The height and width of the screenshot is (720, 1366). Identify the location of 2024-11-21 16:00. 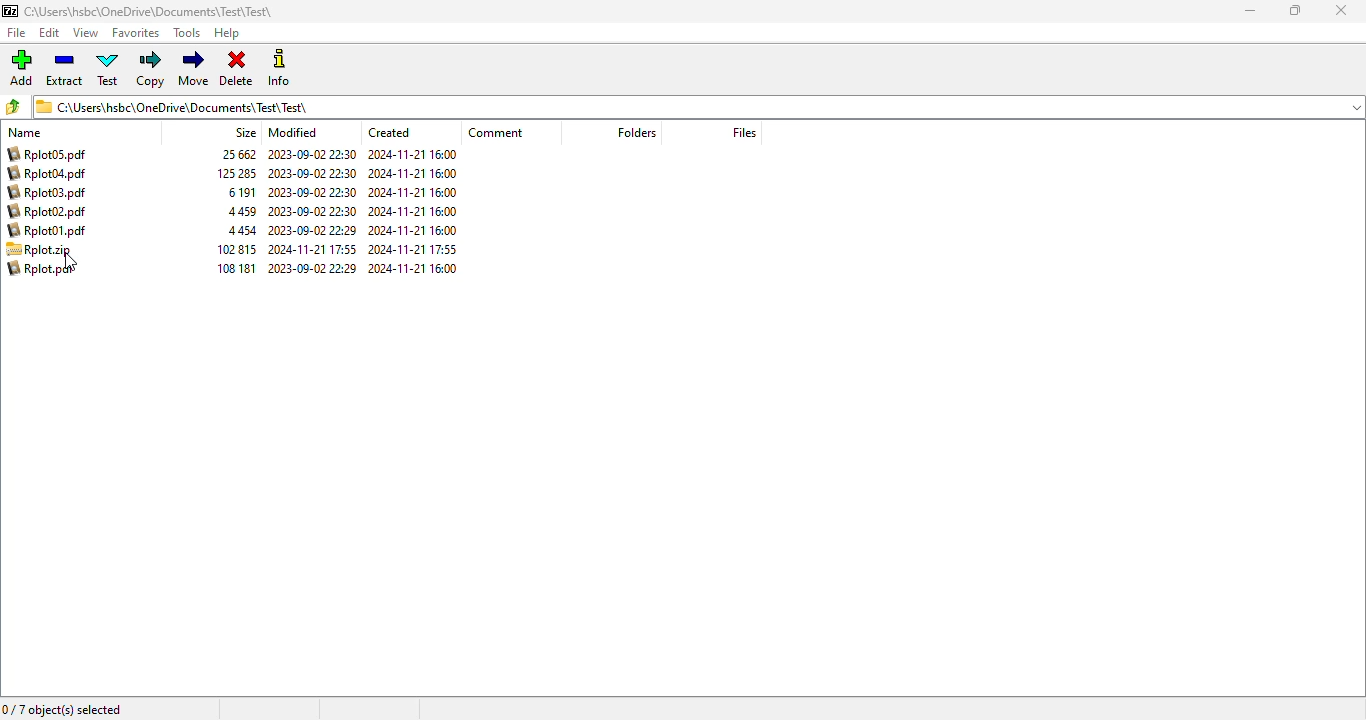
(414, 173).